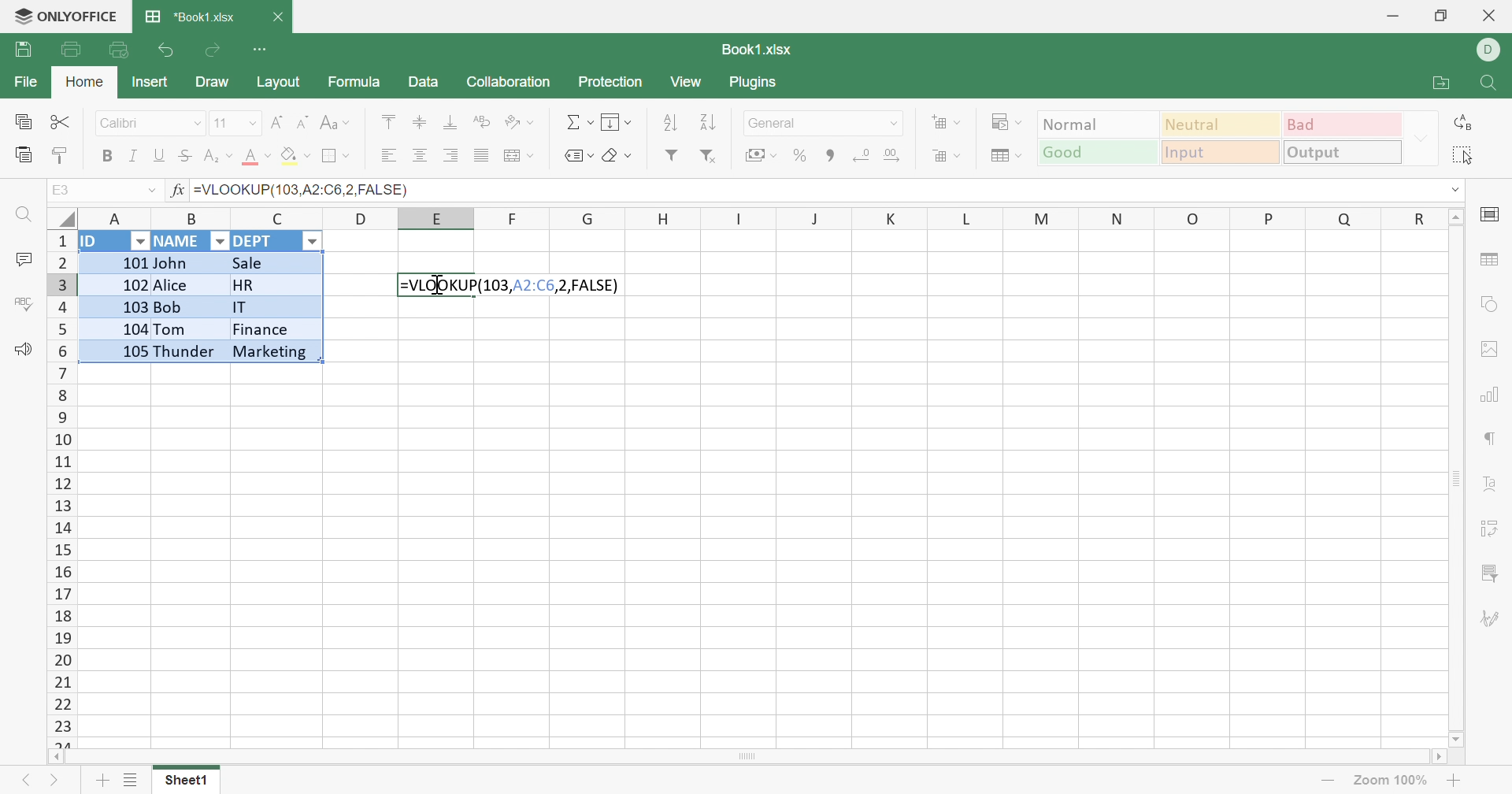  I want to click on Format table as template, so click(948, 156).